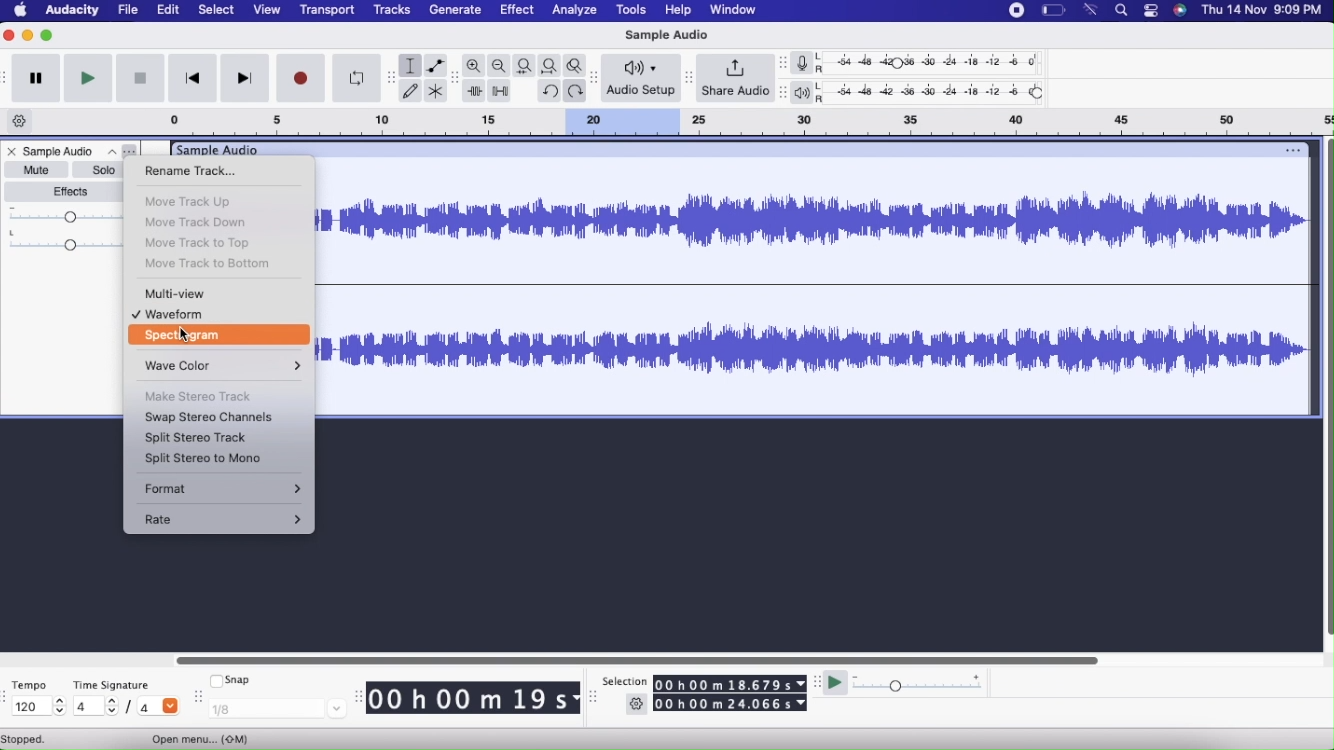 This screenshot has width=1334, height=750. I want to click on move toolbar, so click(596, 79).